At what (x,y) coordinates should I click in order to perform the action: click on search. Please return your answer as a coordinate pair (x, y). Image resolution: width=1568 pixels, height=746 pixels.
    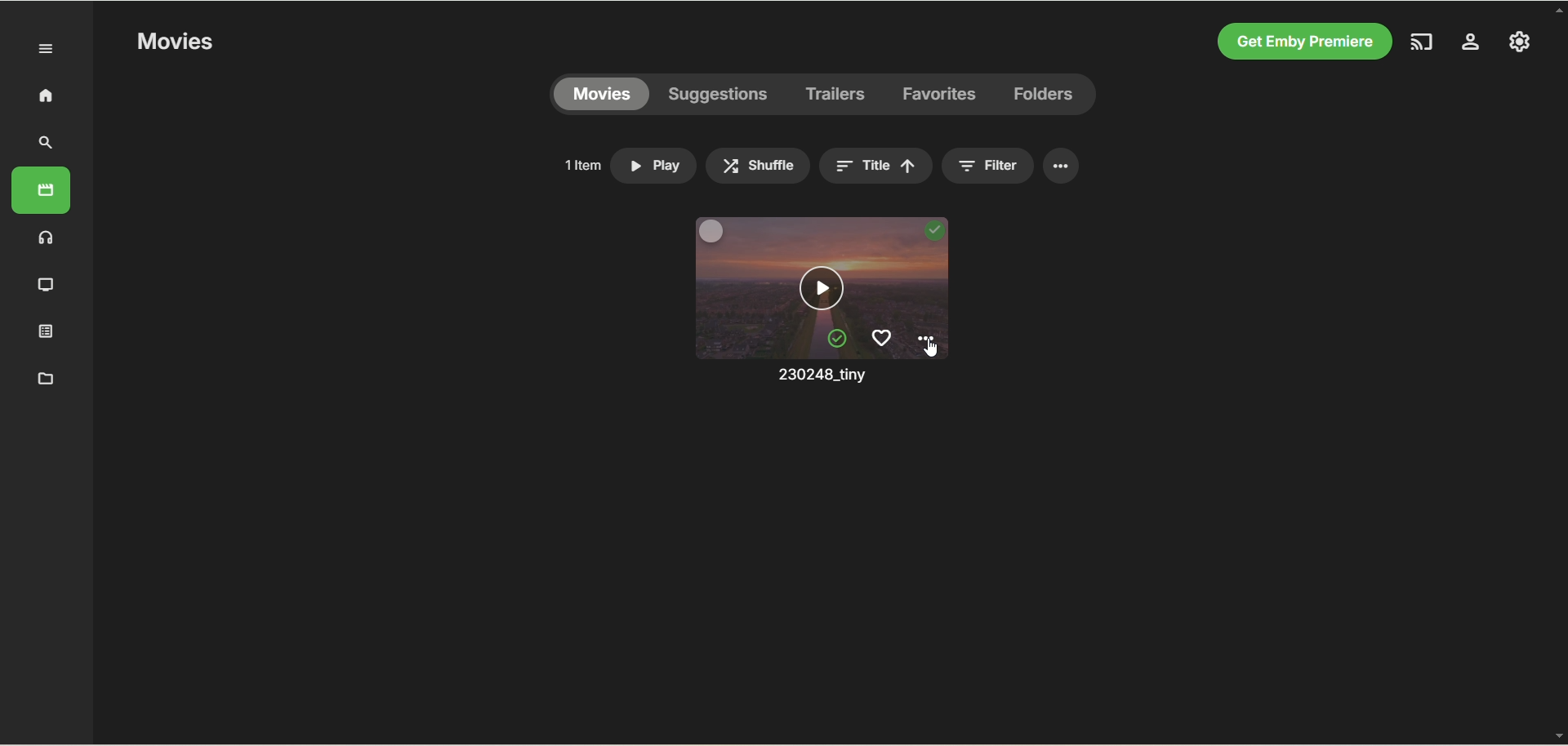
    Looking at the image, I should click on (47, 143).